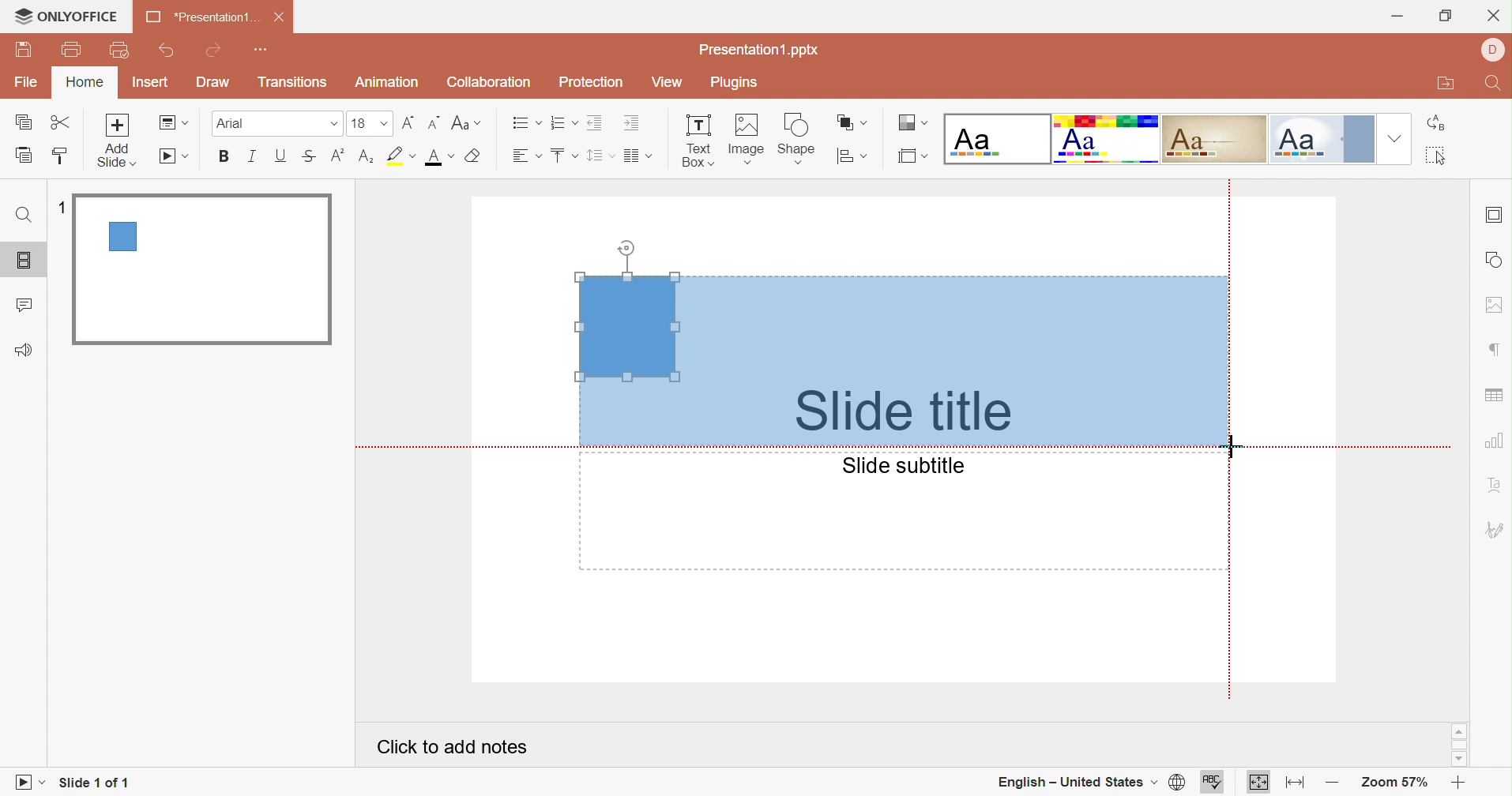  Describe the element at coordinates (1296, 784) in the screenshot. I see `Fit to width` at that location.